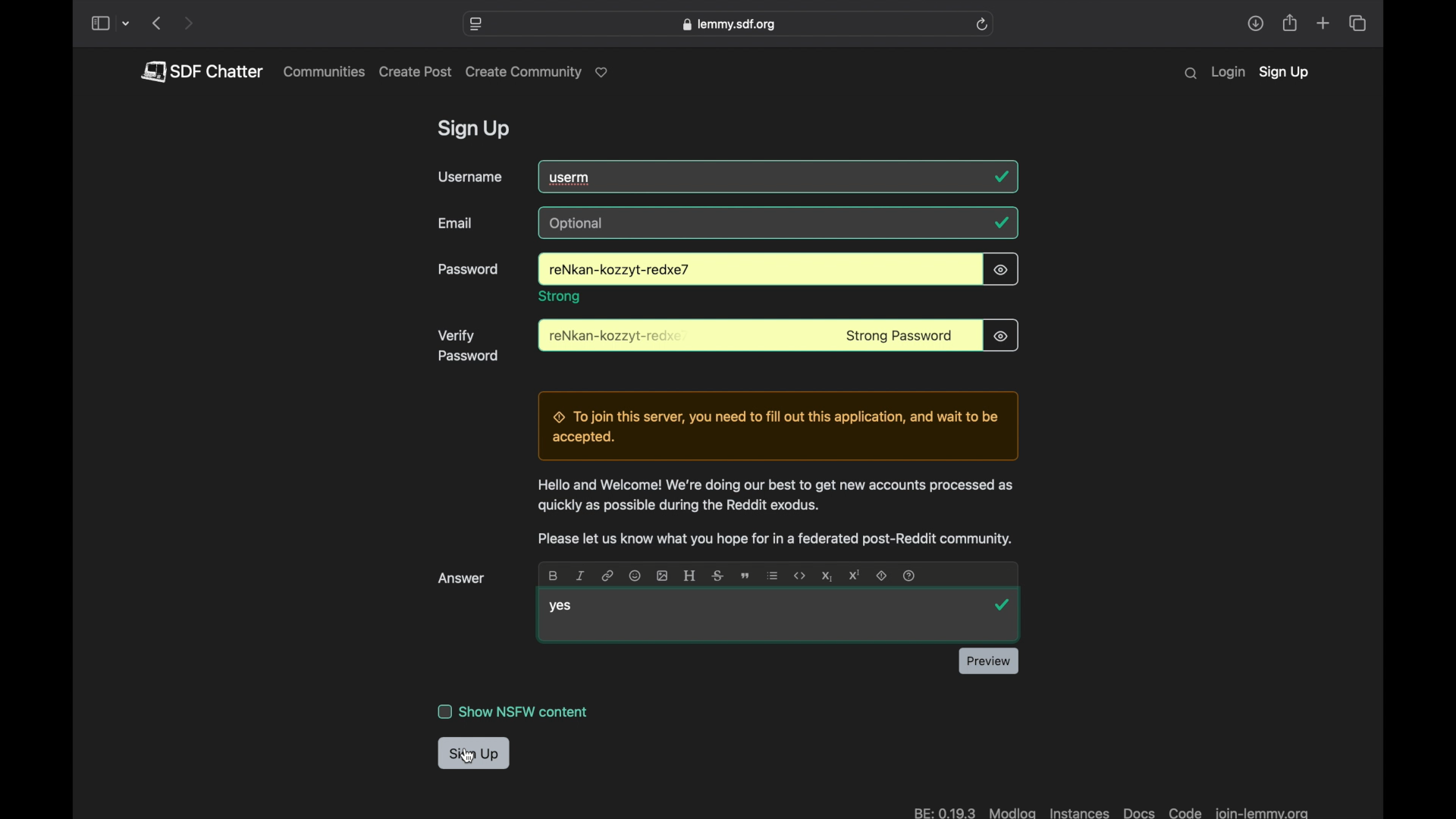 Image resolution: width=1456 pixels, height=819 pixels. Describe the element at coordinates (156, 23) in the screenshot. I see `previous page` at that location.